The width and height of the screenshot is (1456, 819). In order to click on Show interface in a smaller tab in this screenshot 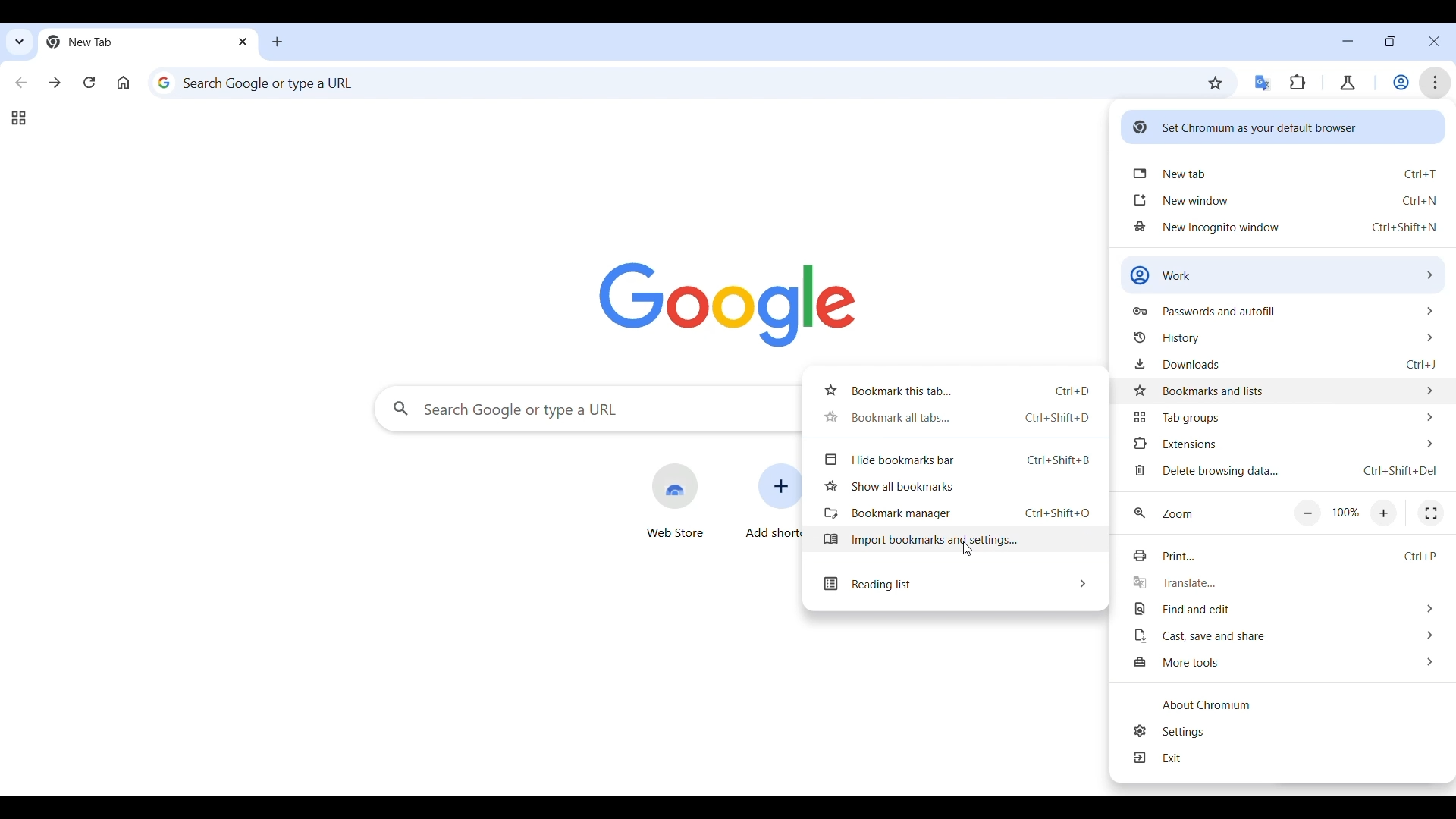, I will do `click(1389, 42)`.